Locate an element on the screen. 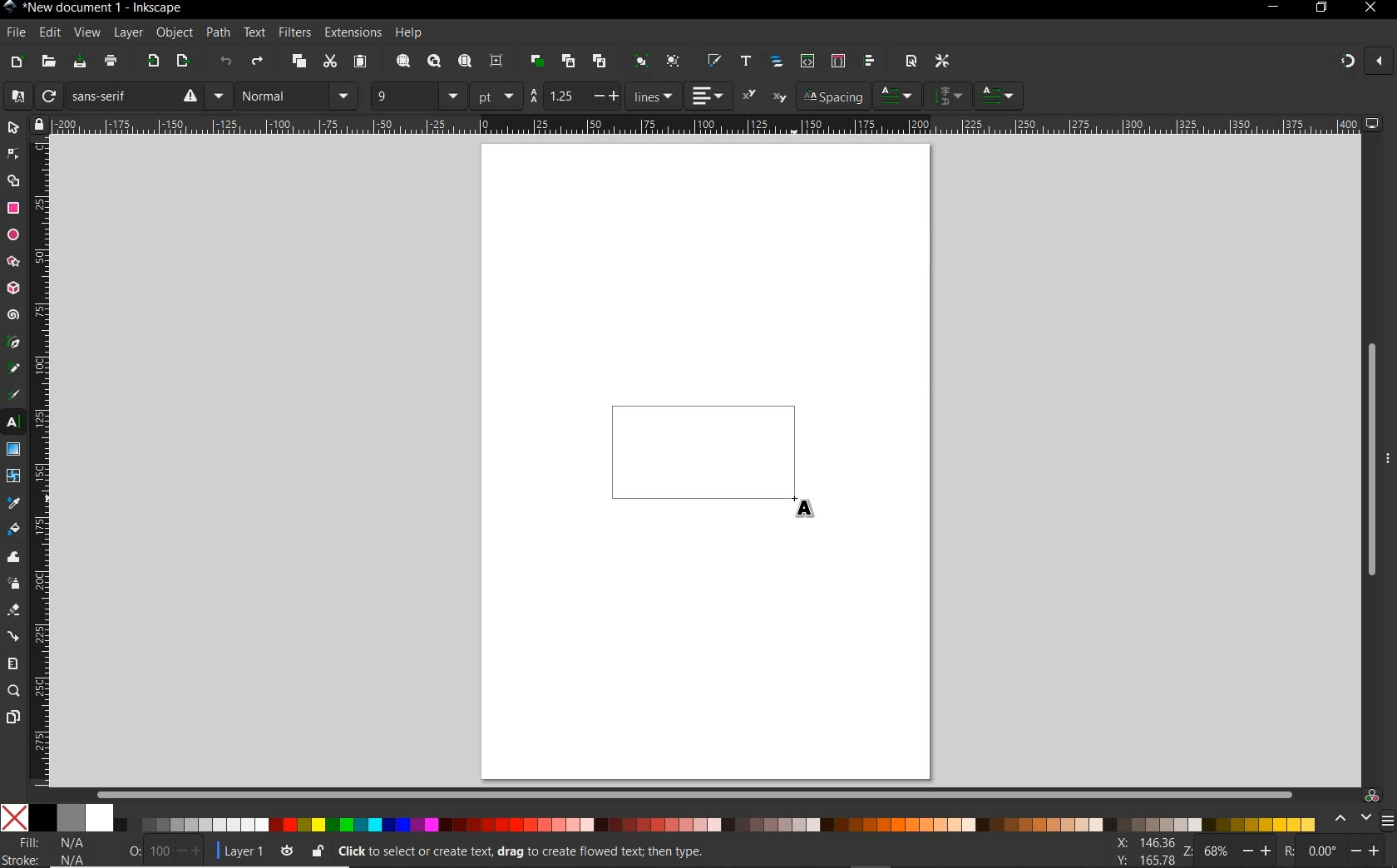 This screenshot has width=1397, height=868. canvas is located at coordinates (707, 458).